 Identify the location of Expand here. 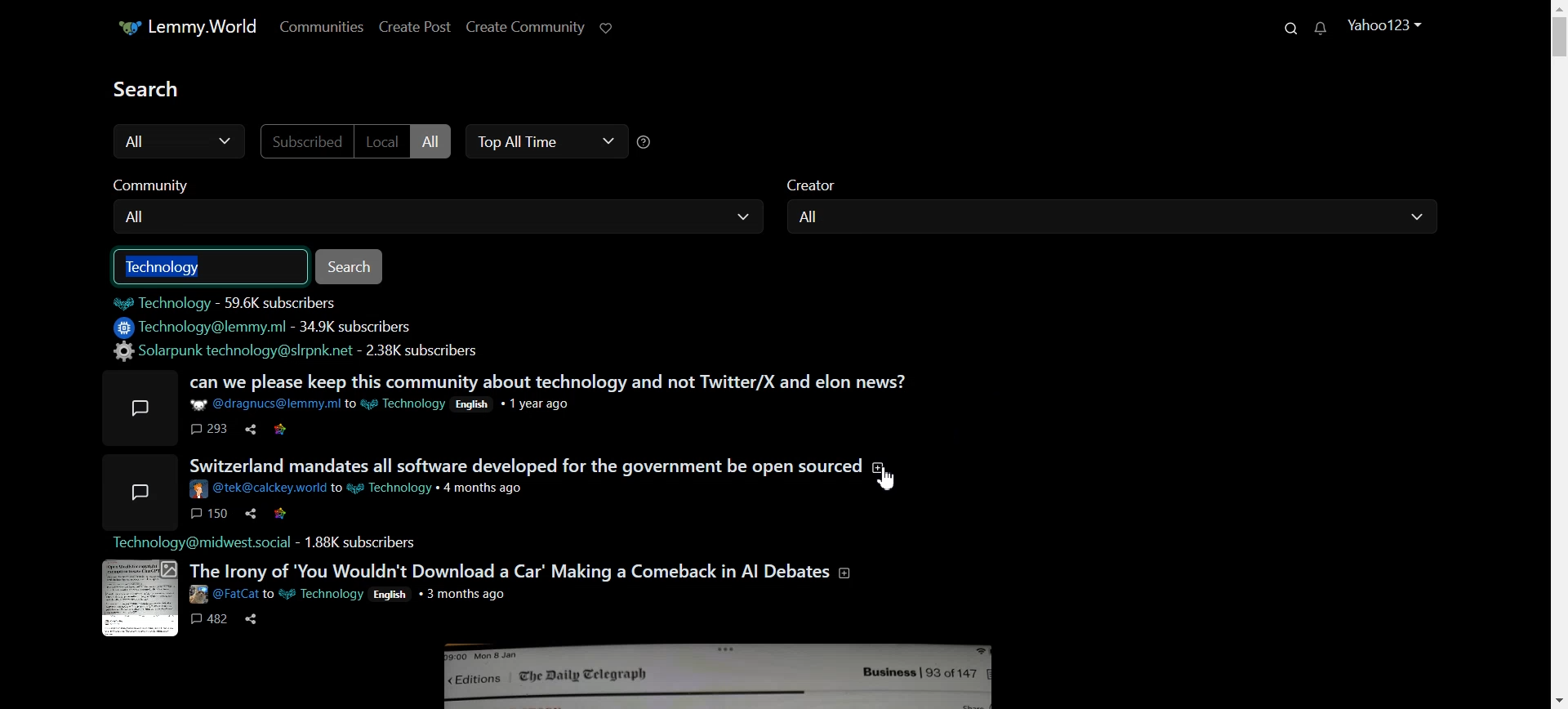
(136, 491).